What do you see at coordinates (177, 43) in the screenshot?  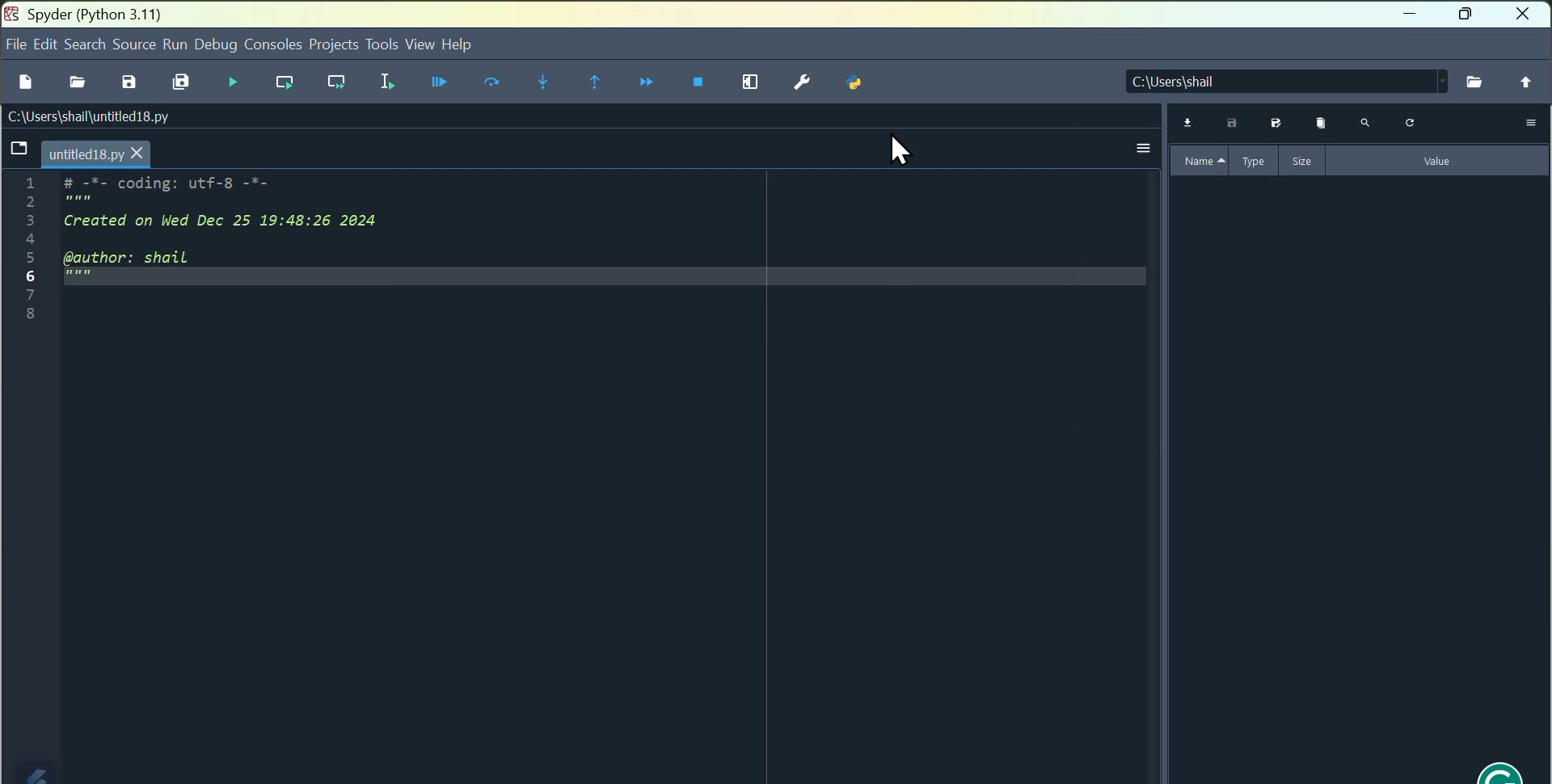 I see `Run` at bounding box center [177, 43].